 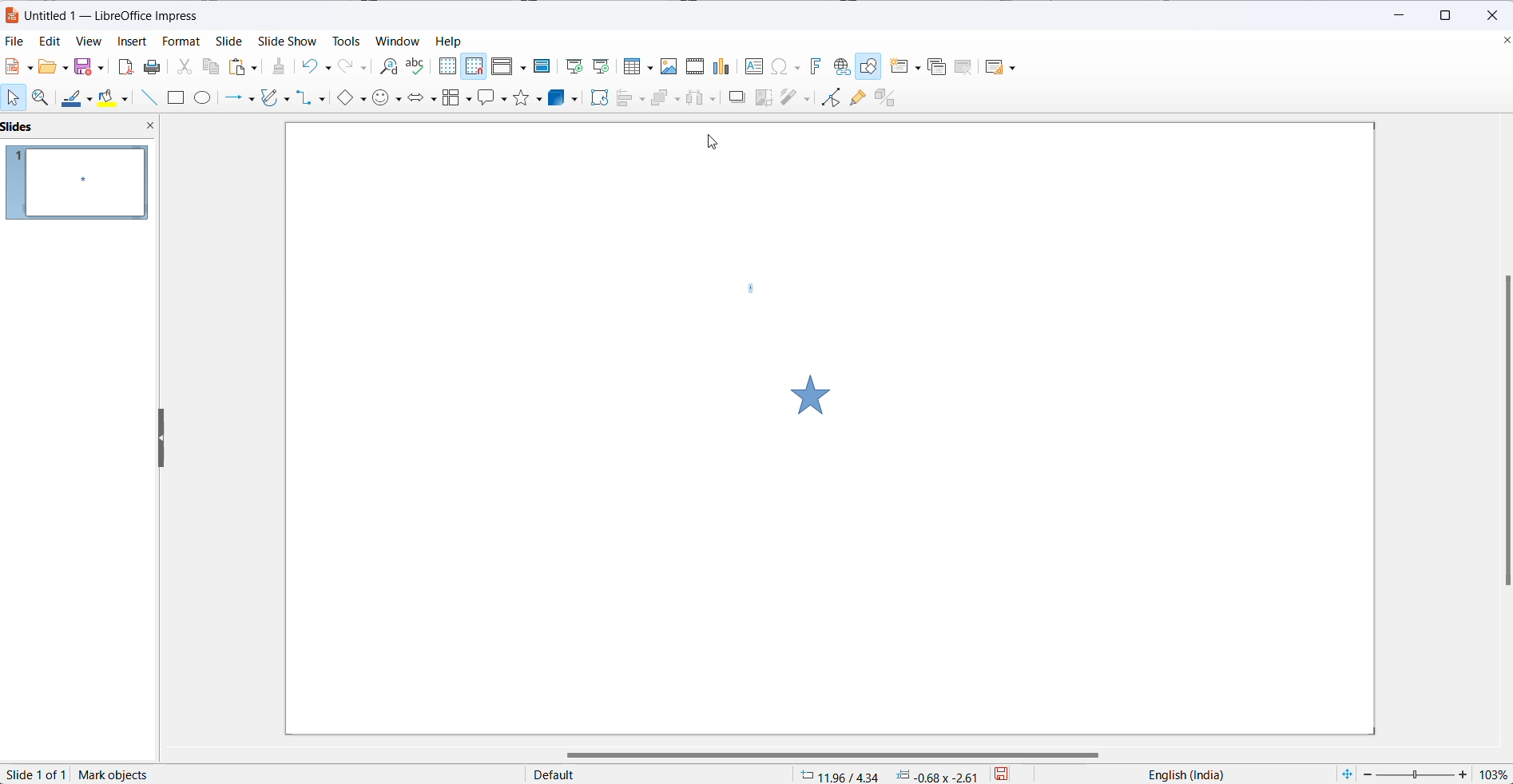 What do you see at coordinates (84, 42) in the screenshot?
I see `view ` at bounding box center [84, 42].